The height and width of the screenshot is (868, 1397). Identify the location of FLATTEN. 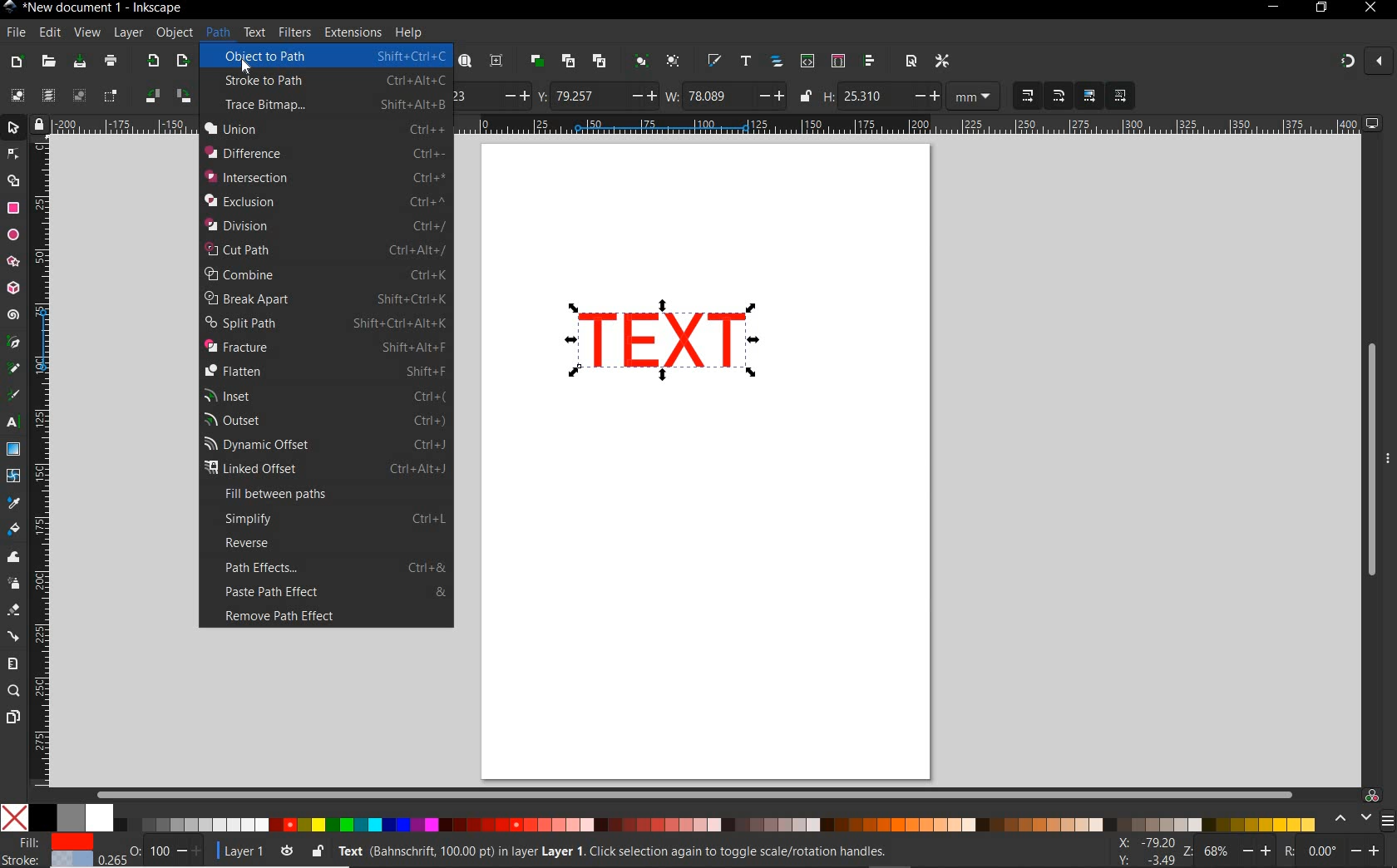
(323, 371).